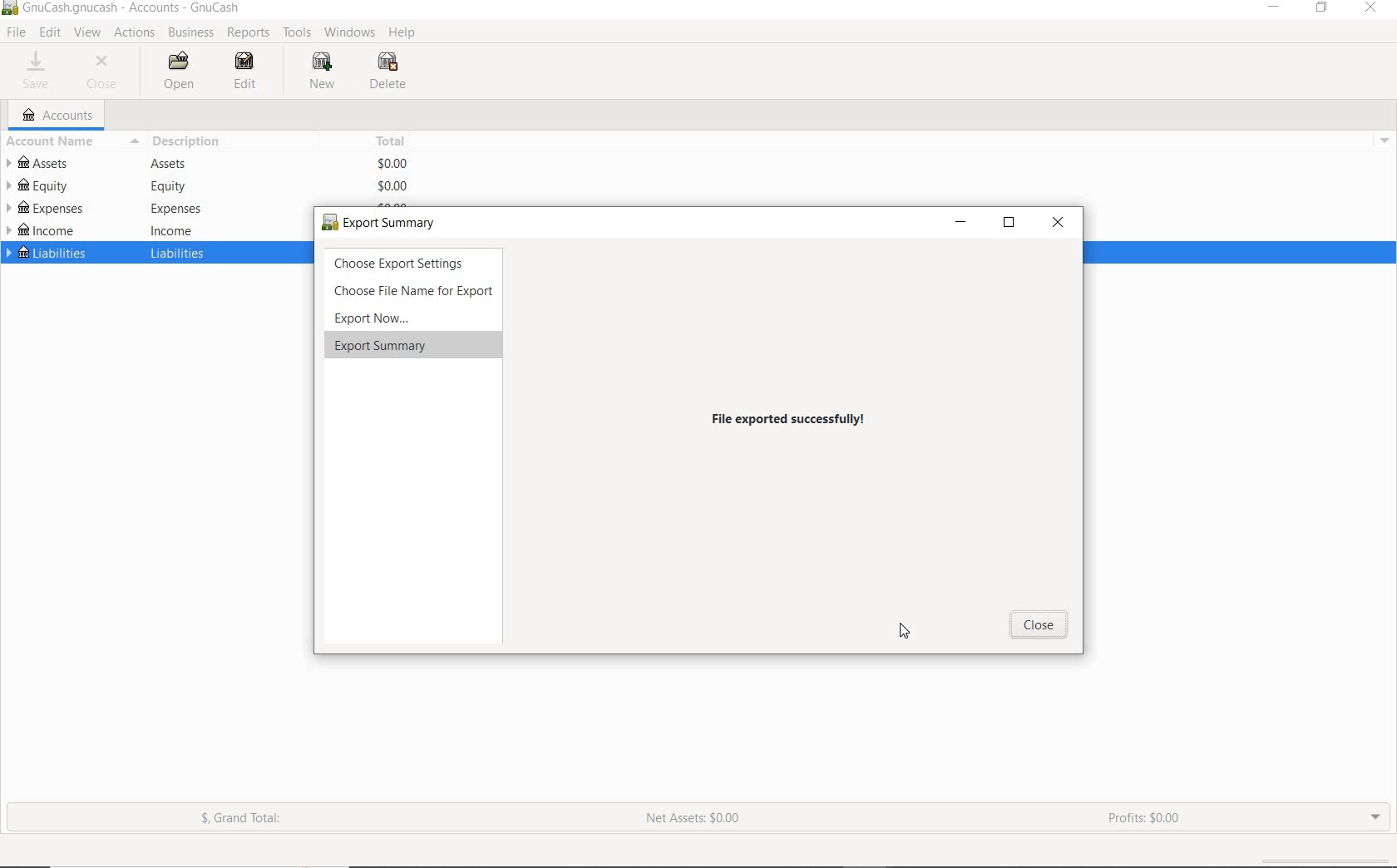 This screenshot has width=1397, height=868. What do you see at coordinates (1321, 9) in the screenshot?
I see `RESTORE DOWN` at bounding box center [1321, 9].